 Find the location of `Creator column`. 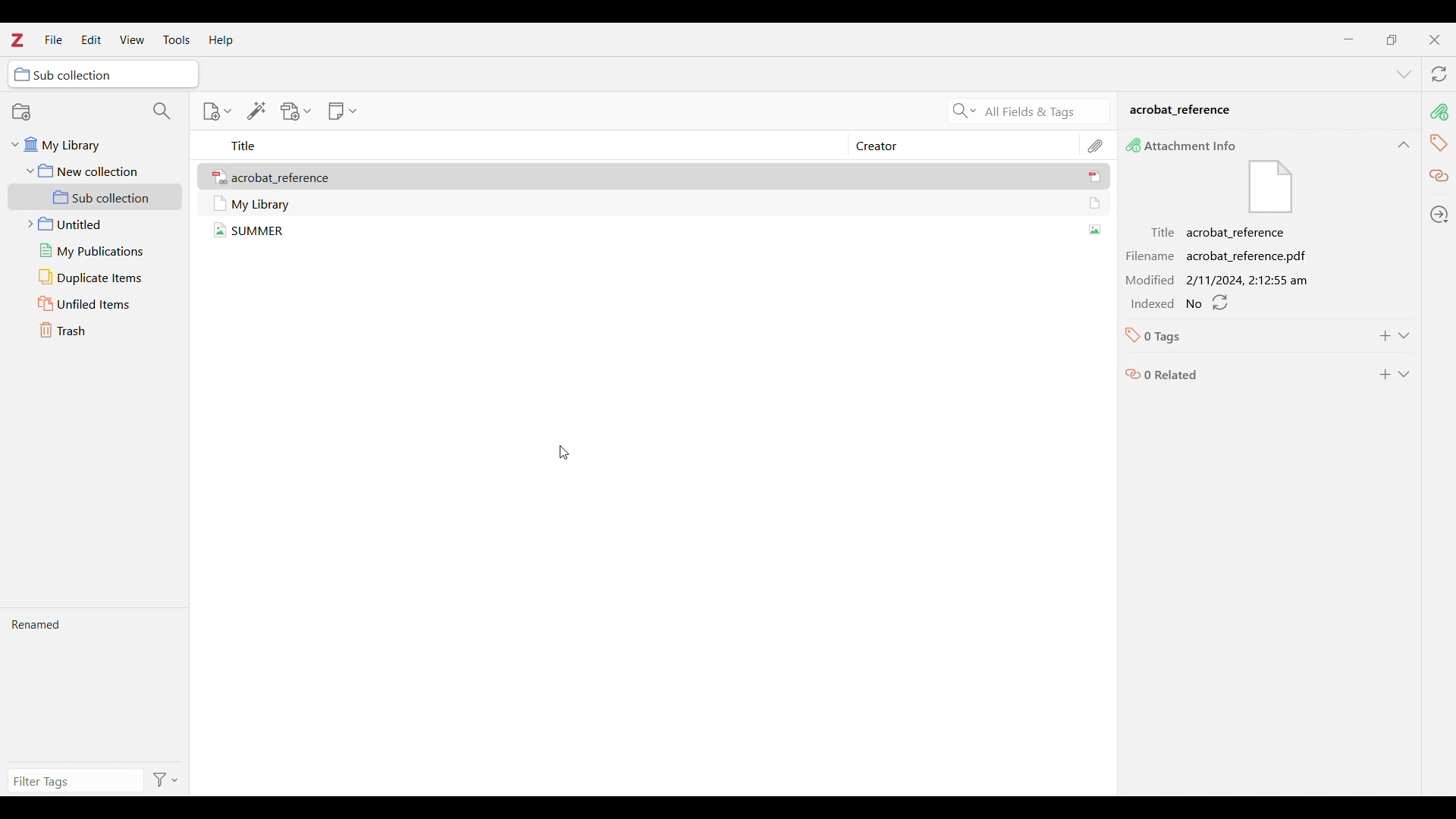

Creator column is located at coordinates (952, 145).